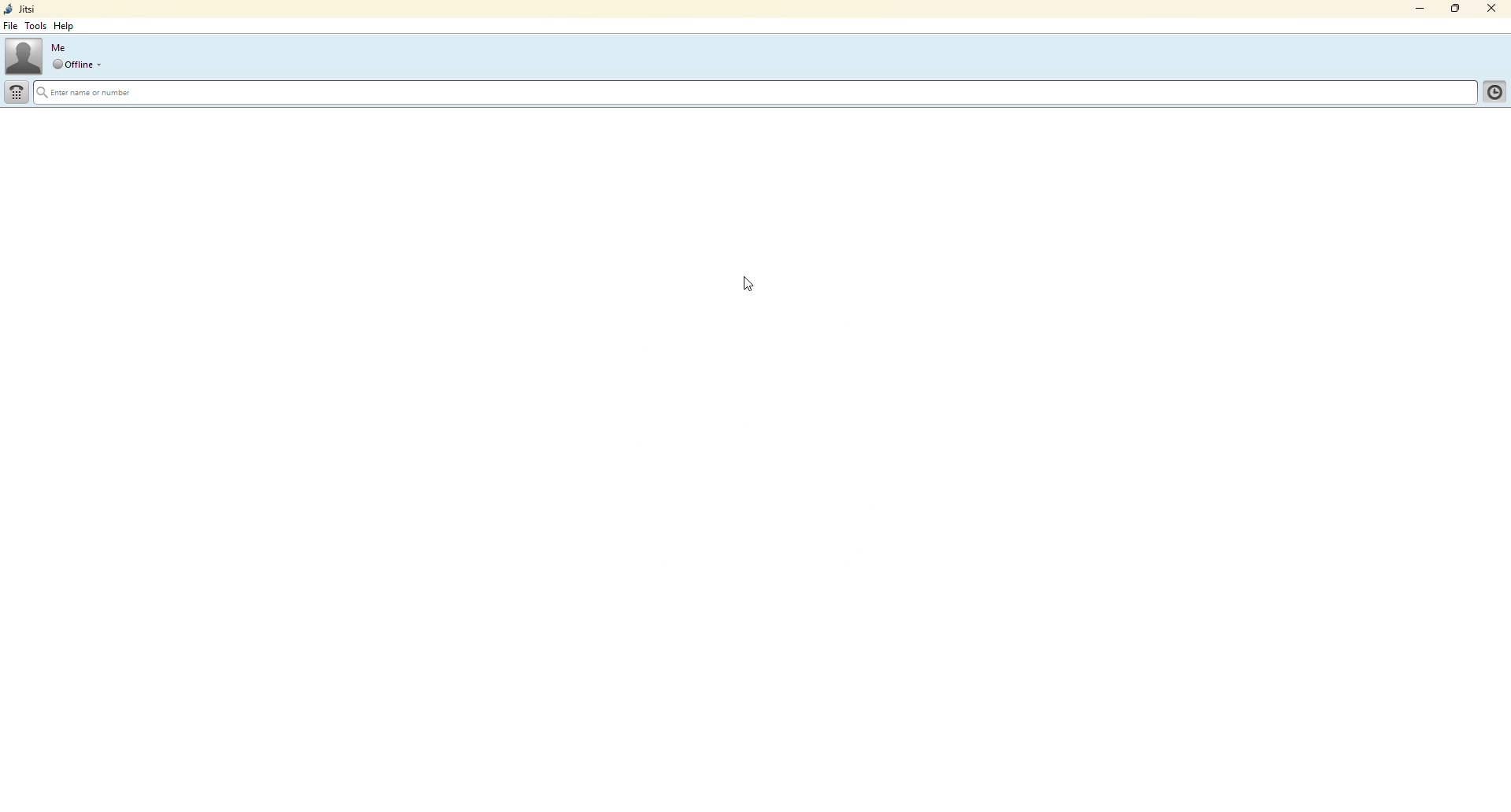 Image resolution: width=1511 pixels, height=812 pixels. I want to click on drop down, so click(103, 65).